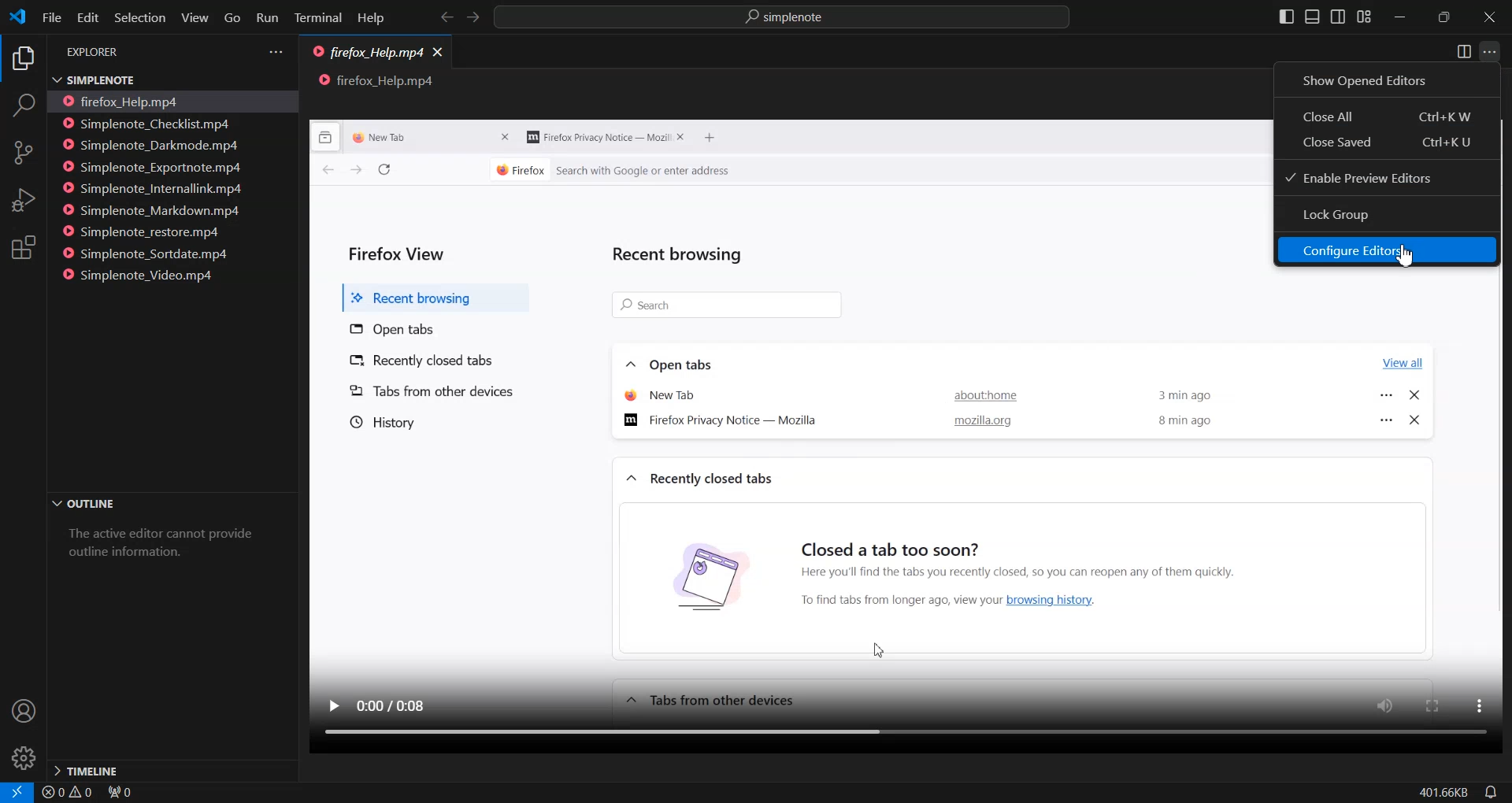  Describe the element at coordinates (432, 391) in the screenshot. I see `Tabs from other devices` at that location.